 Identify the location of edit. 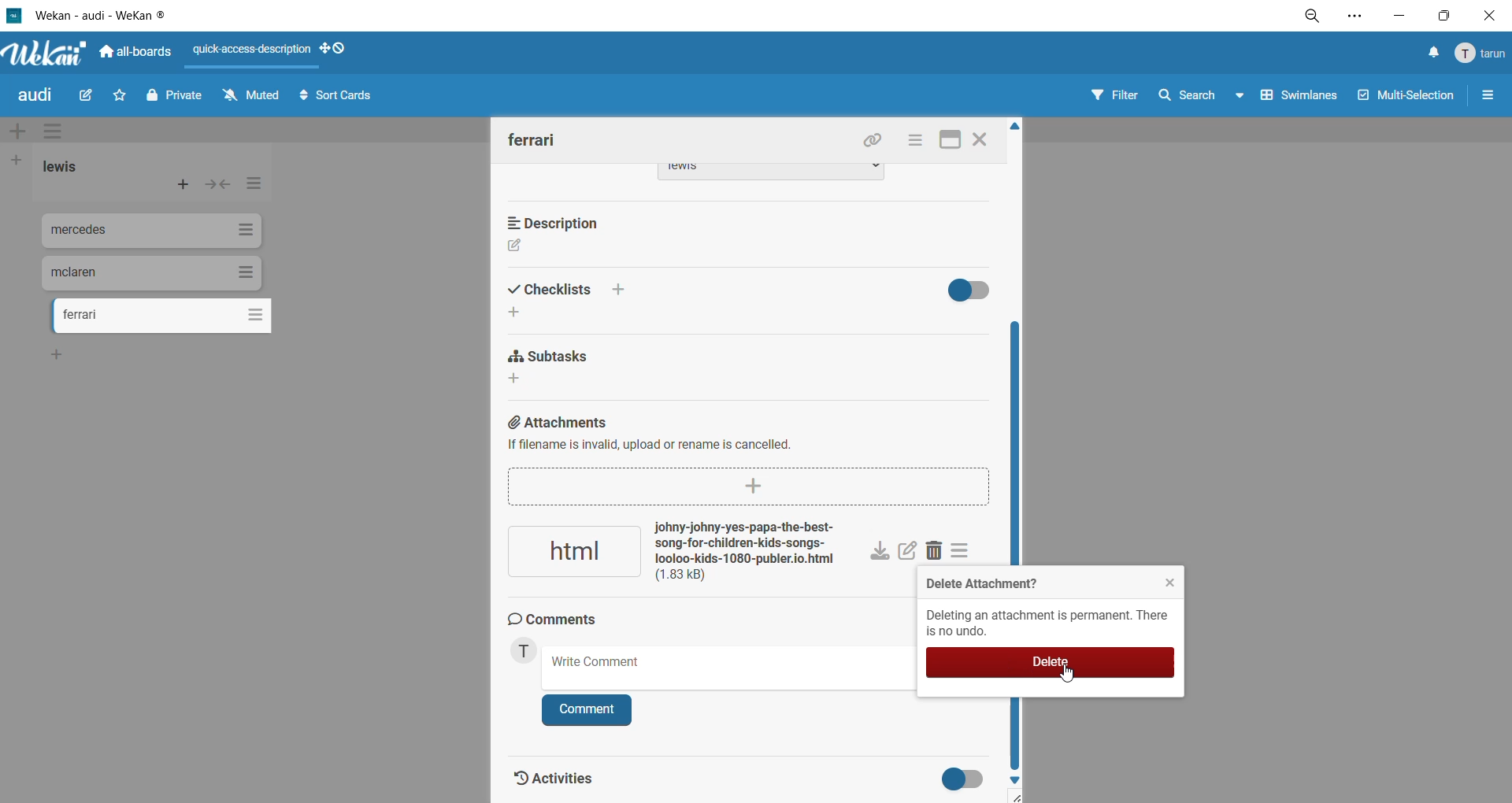
(93, 96).